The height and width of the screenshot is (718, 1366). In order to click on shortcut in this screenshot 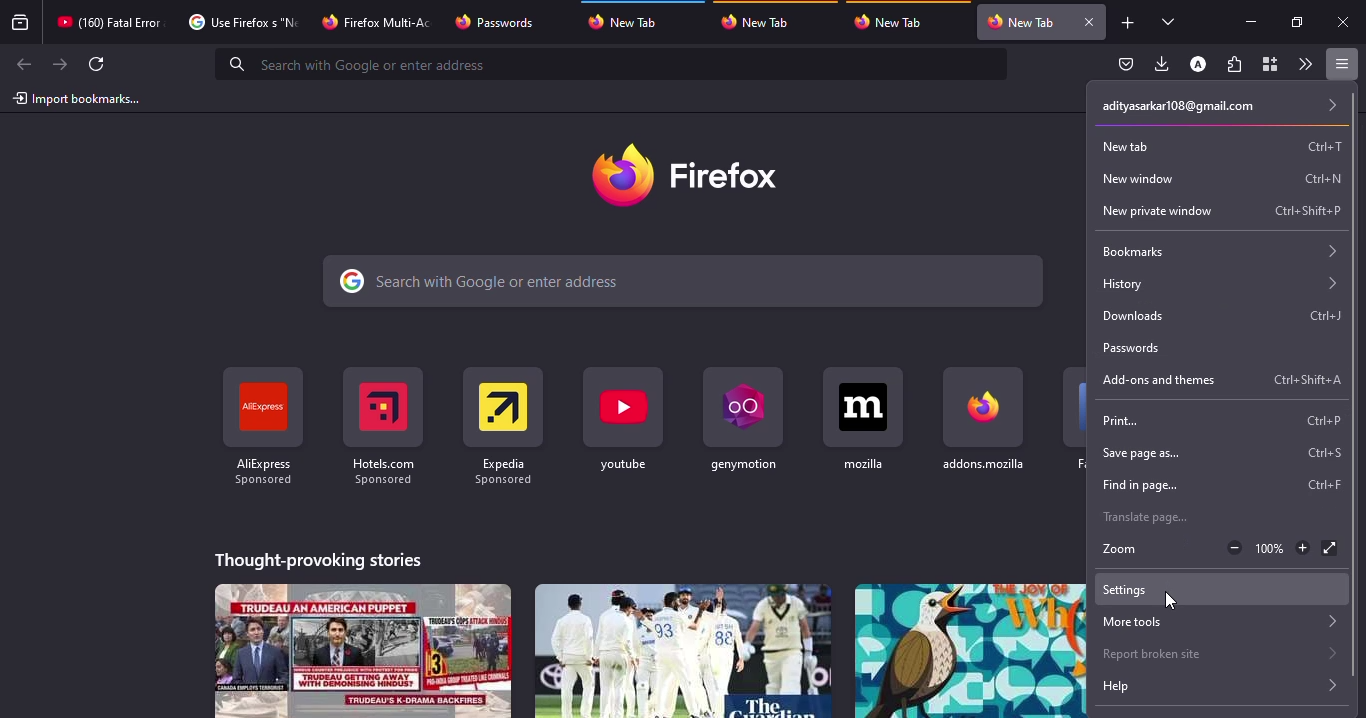, I will do `click(1323, 315)`.